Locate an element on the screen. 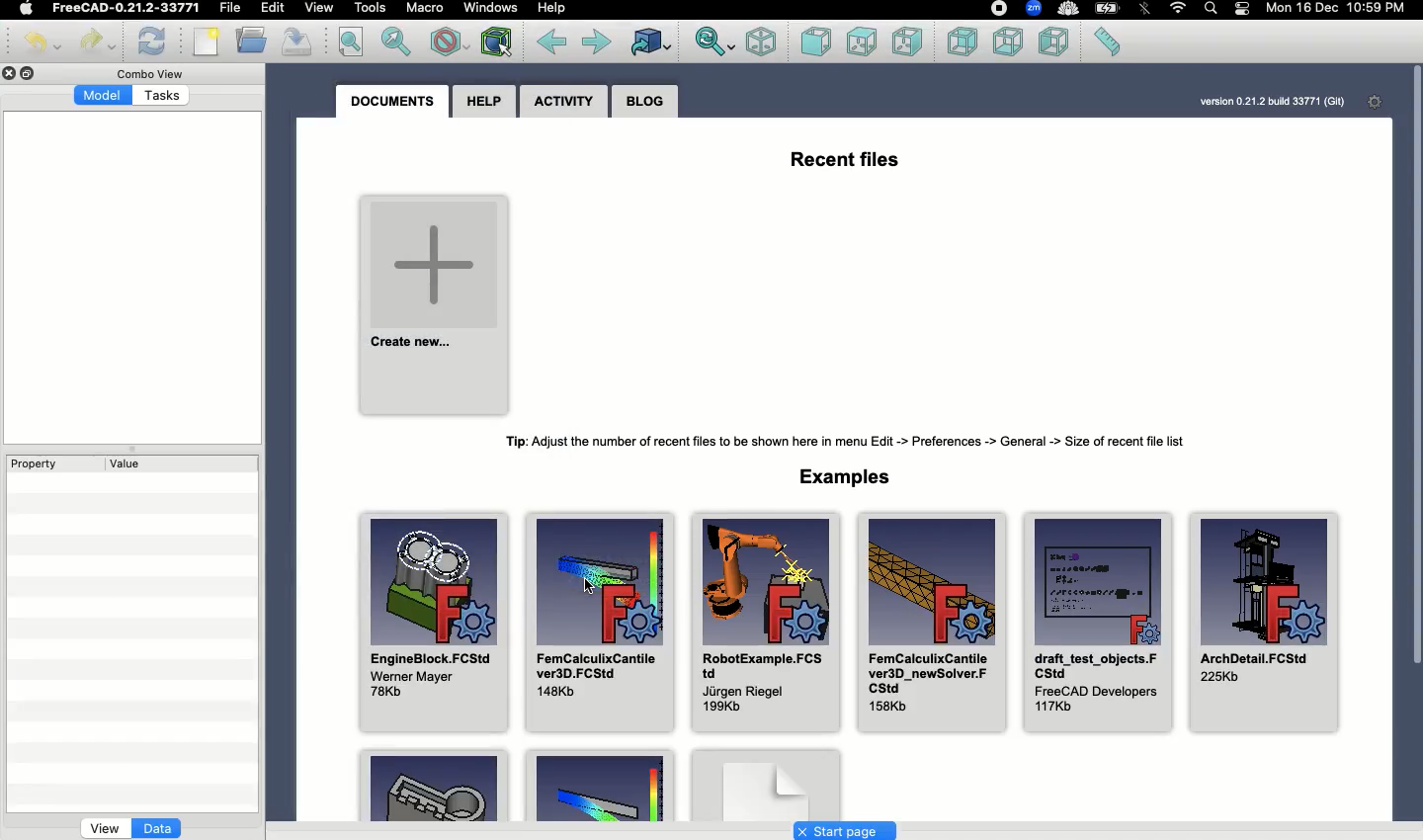 The width and height of the screenshot is (1423, 840). Activity  is located at coordinates (563, 104).